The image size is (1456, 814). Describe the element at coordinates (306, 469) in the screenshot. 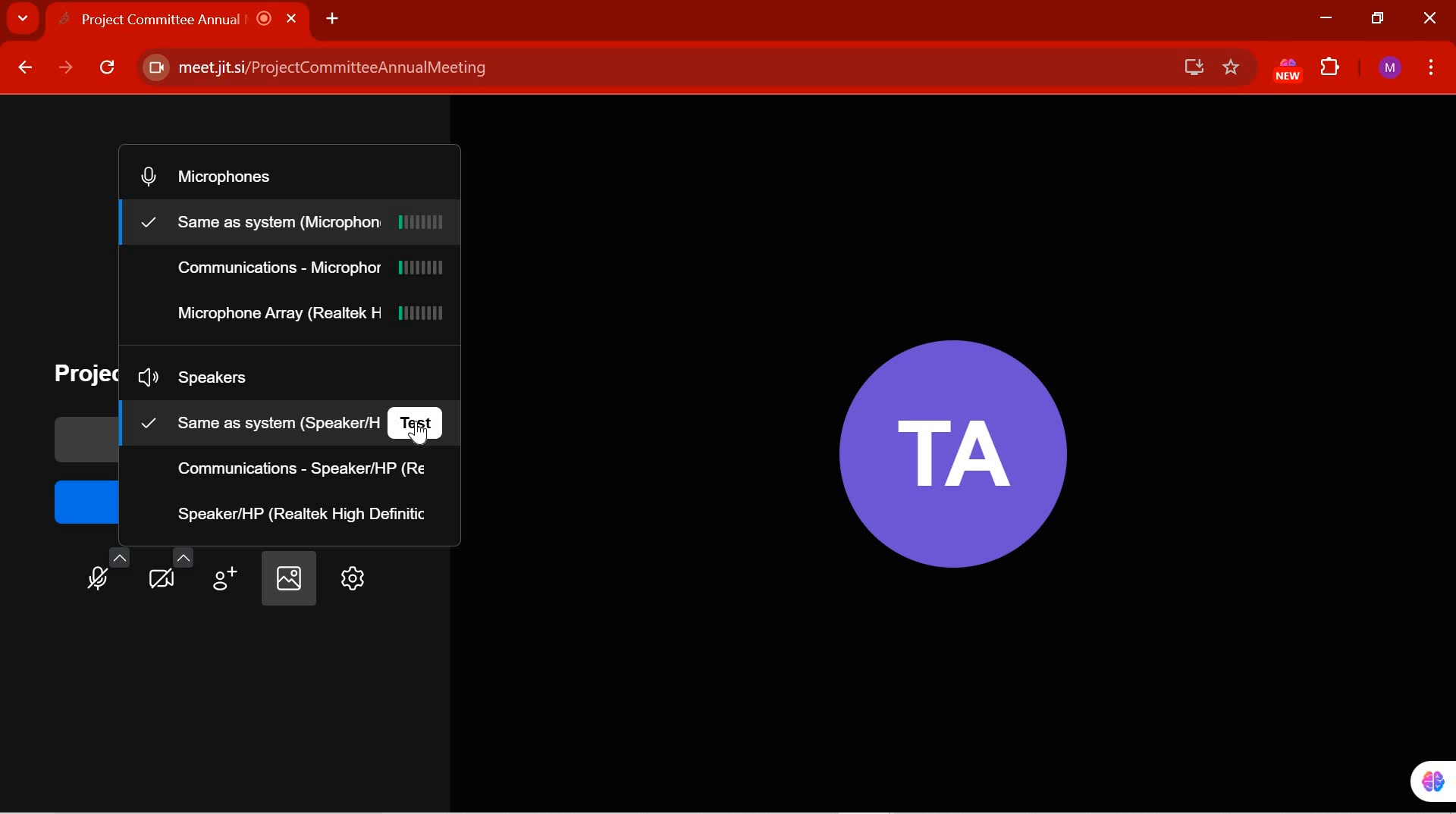

I see `communications - speaker/HP` at that location.